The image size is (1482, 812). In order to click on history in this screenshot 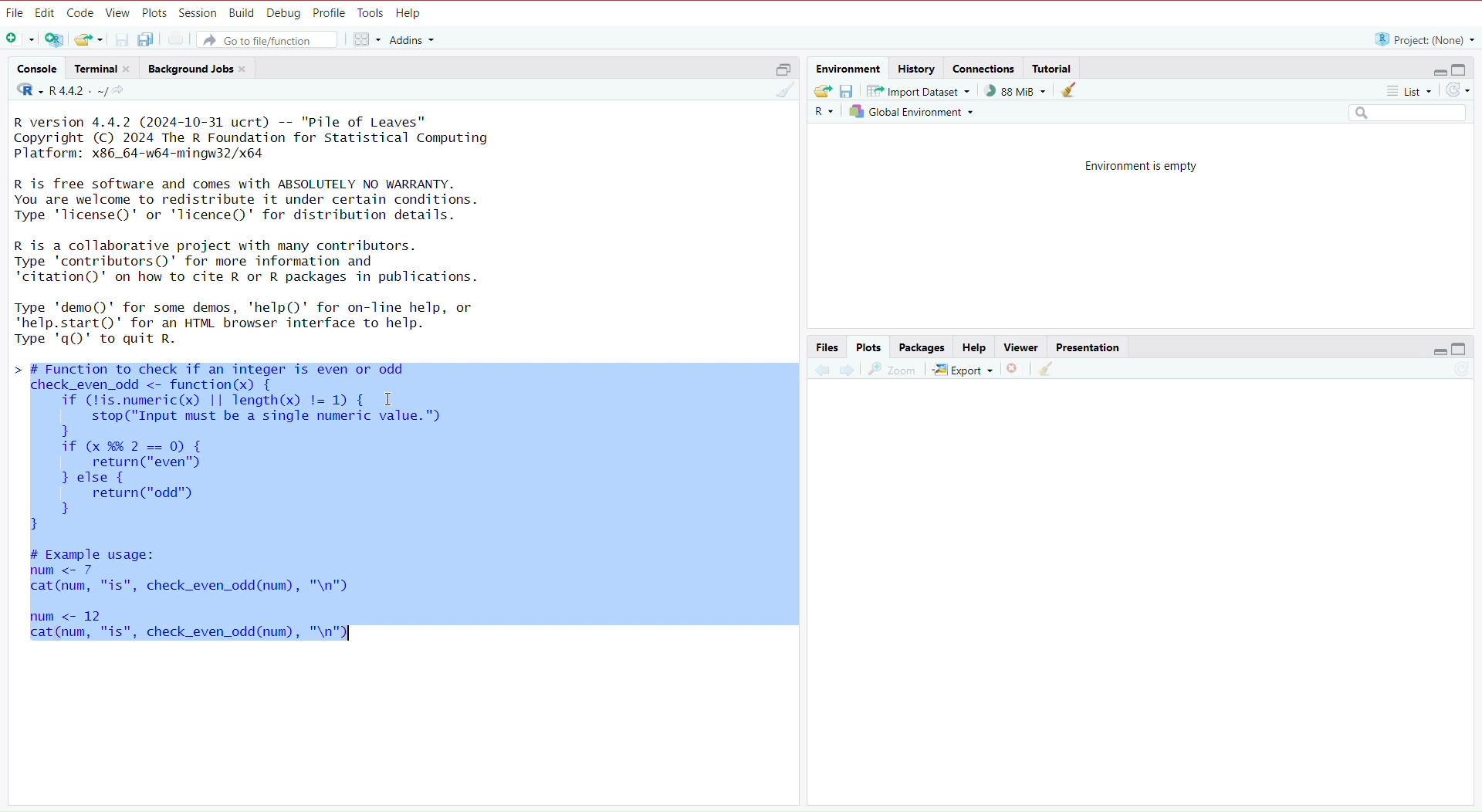, I will do `click(919, 67)`.